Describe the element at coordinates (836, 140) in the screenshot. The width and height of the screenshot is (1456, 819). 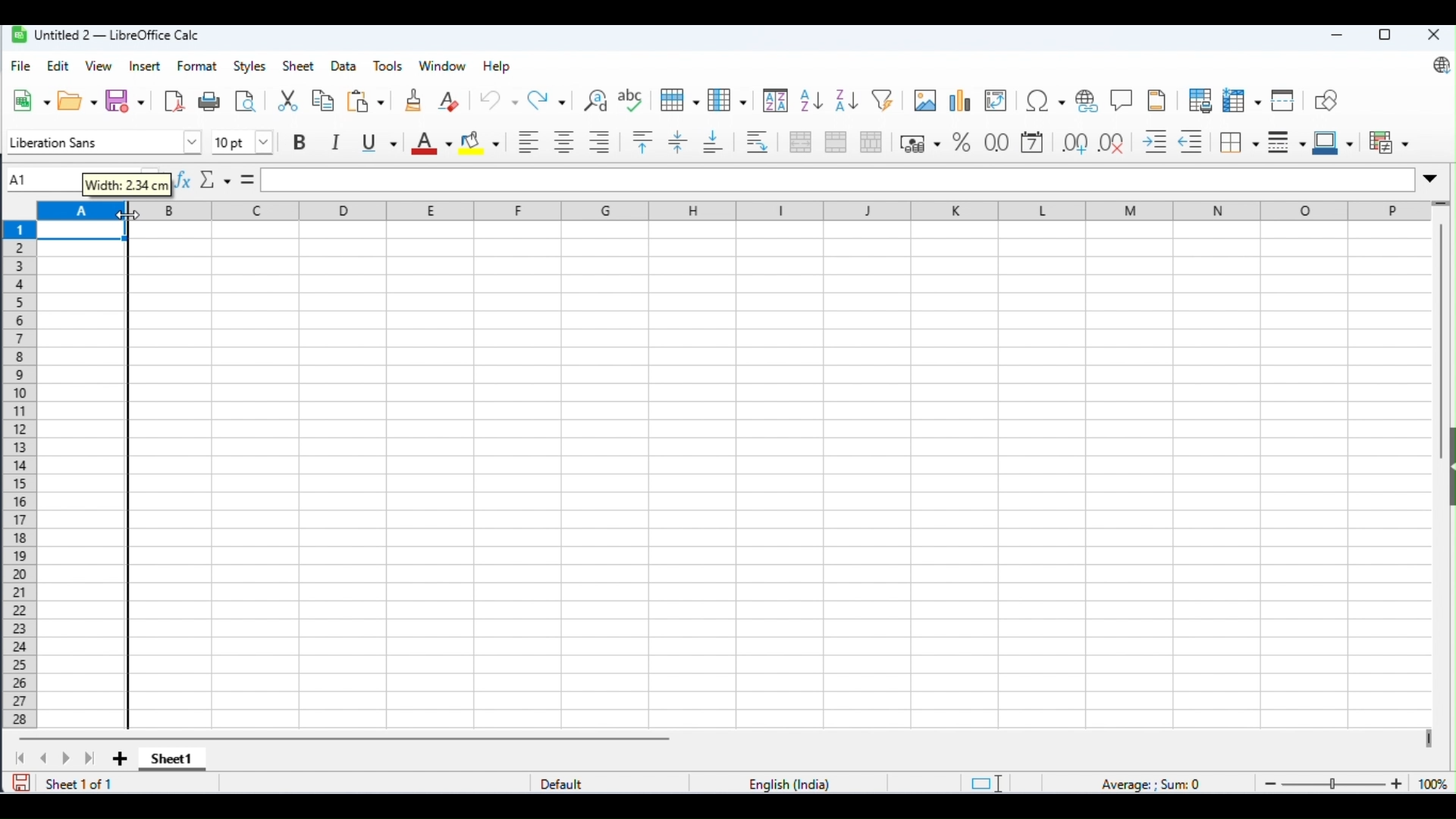
I see `merge cells` at that location.